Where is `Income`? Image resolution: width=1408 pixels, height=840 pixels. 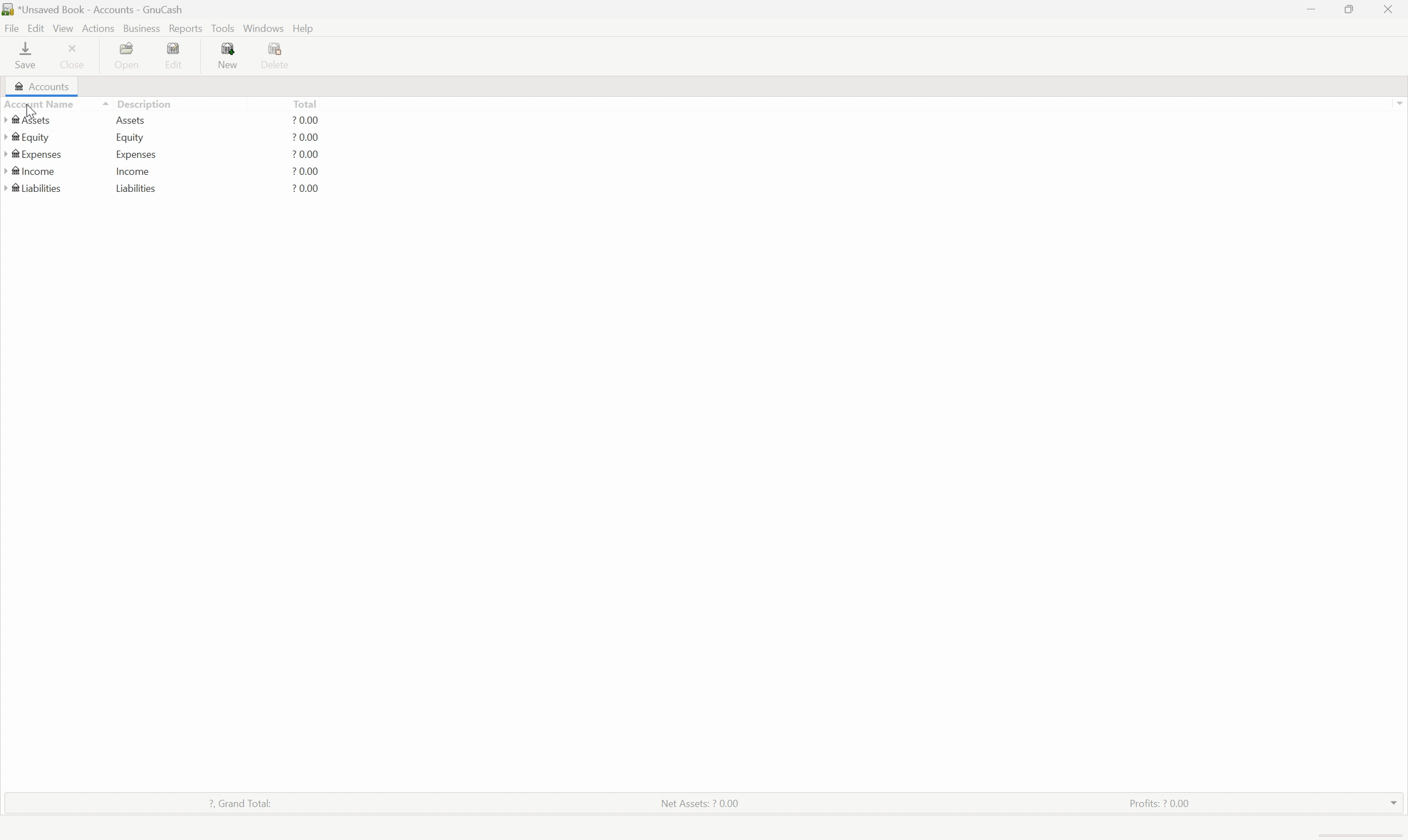
Income is located at coordinates (133, 170).